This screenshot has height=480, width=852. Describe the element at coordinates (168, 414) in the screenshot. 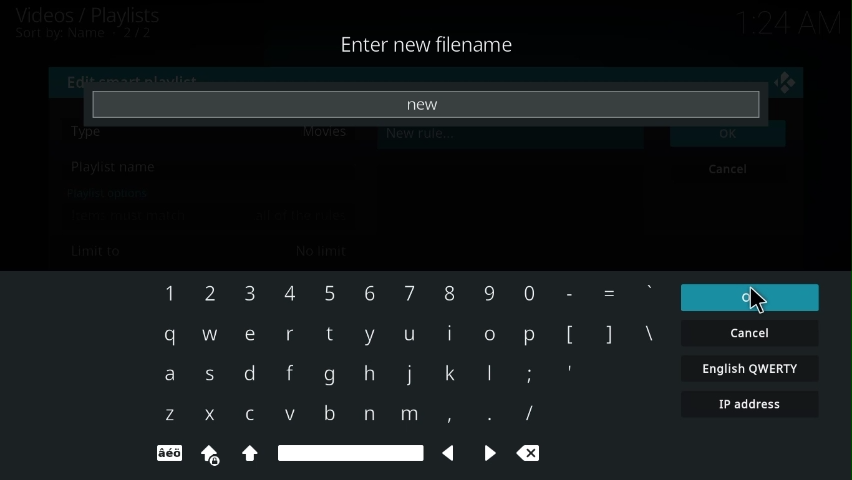

I see `z` at that location.